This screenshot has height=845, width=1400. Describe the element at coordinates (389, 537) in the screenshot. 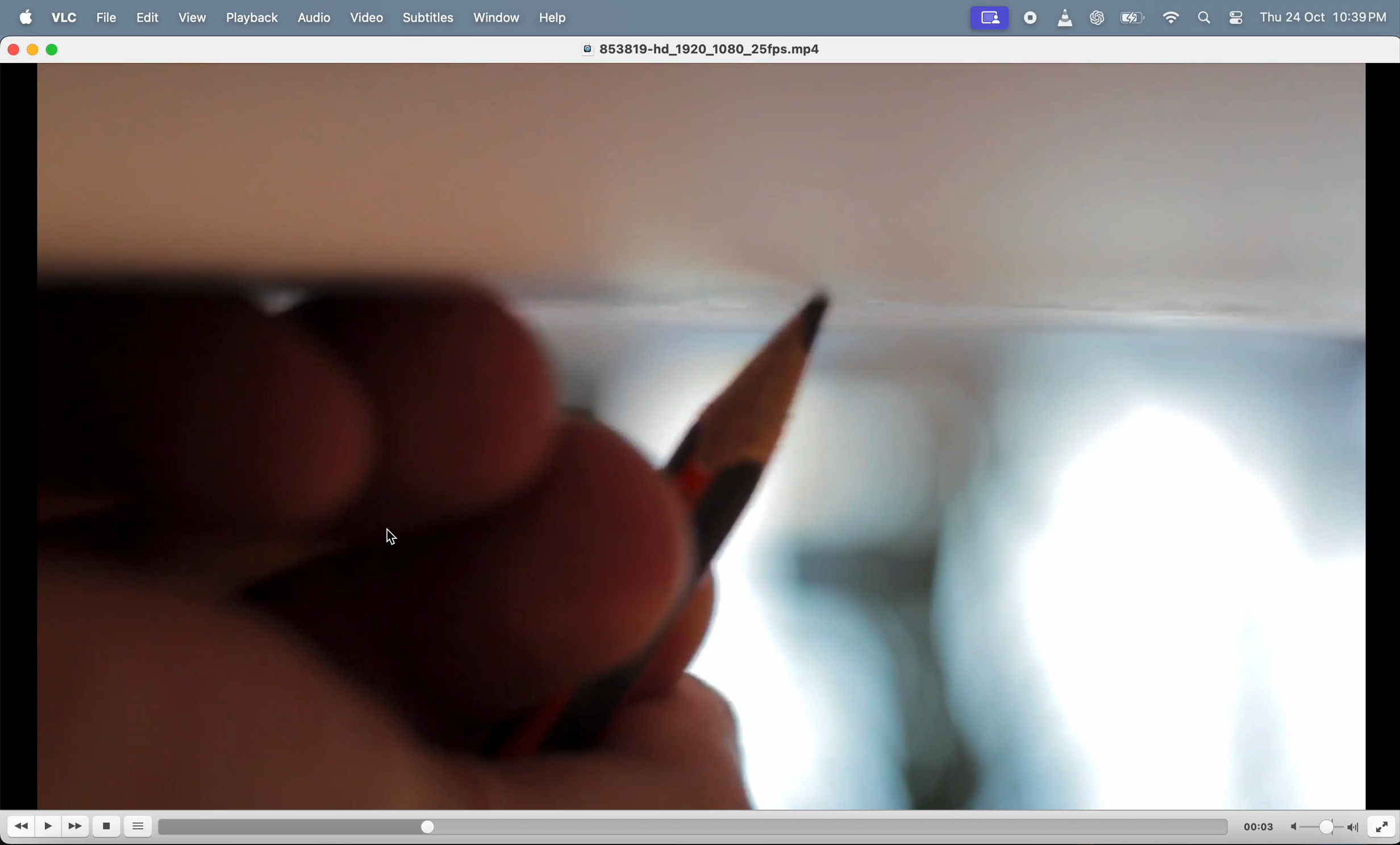

I see `cursor` at that location.